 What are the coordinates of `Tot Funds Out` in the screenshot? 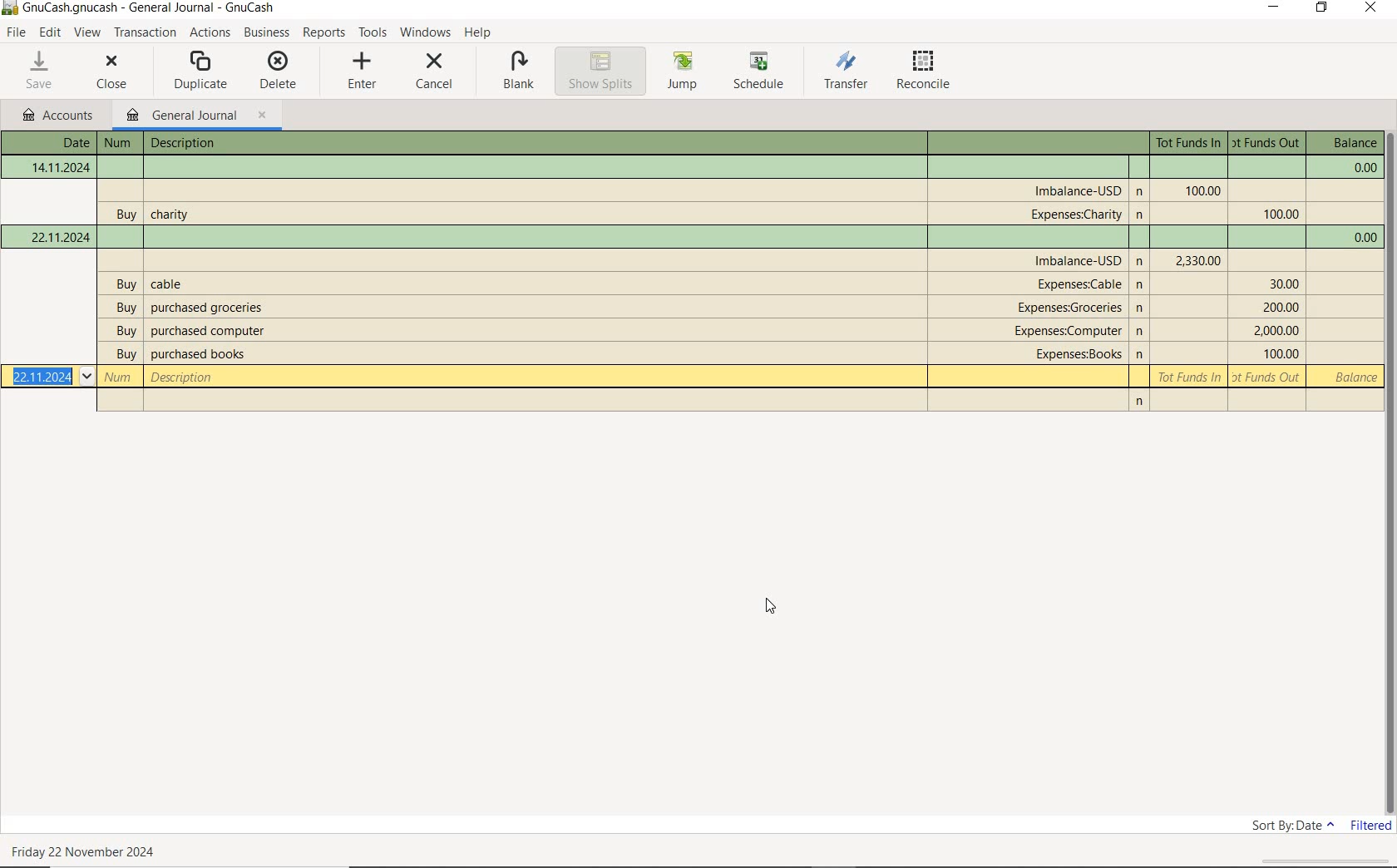 It's located at (1279, 354).